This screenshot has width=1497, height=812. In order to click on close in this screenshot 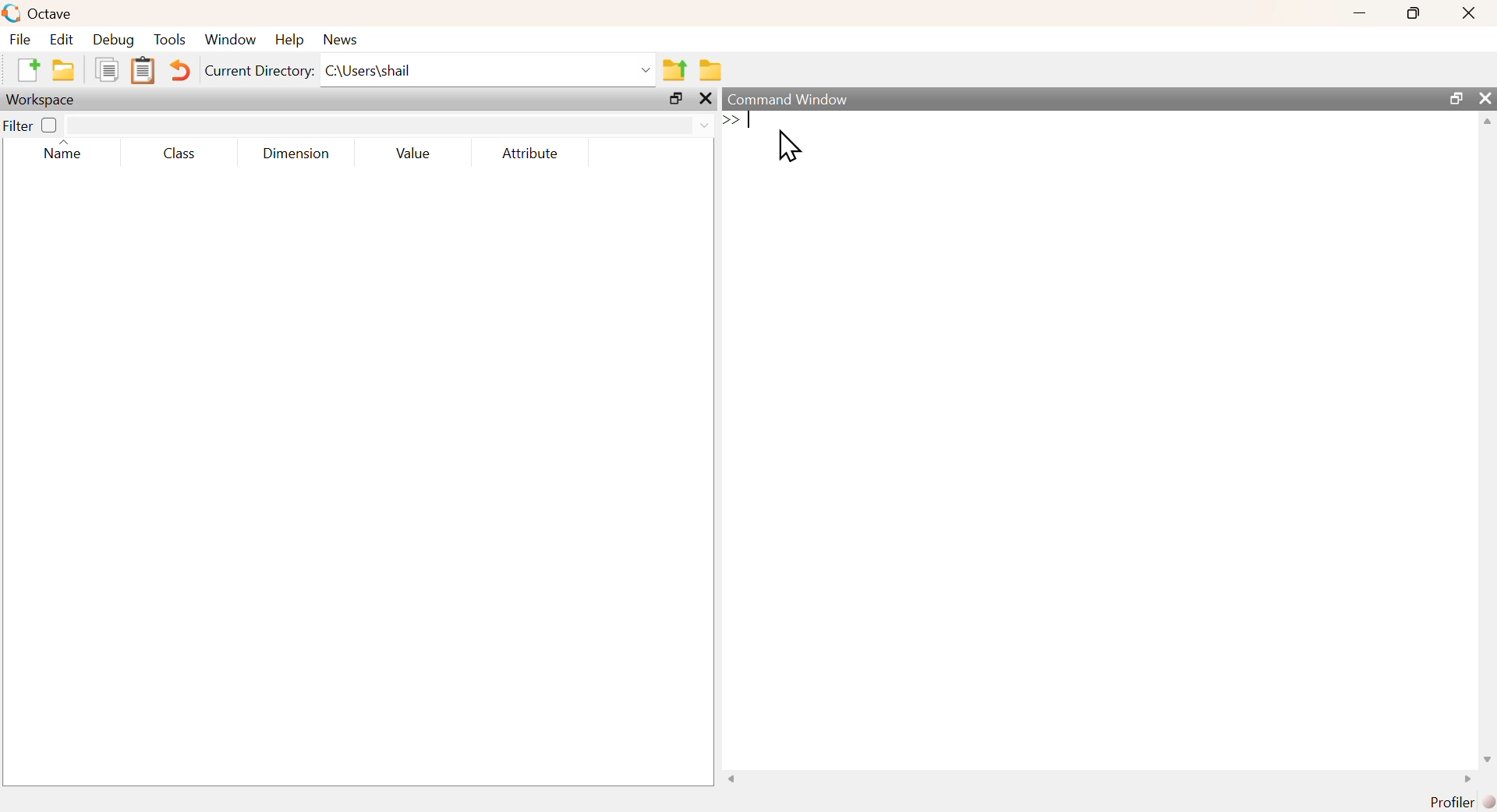, I will do `click(1485, 97)`.